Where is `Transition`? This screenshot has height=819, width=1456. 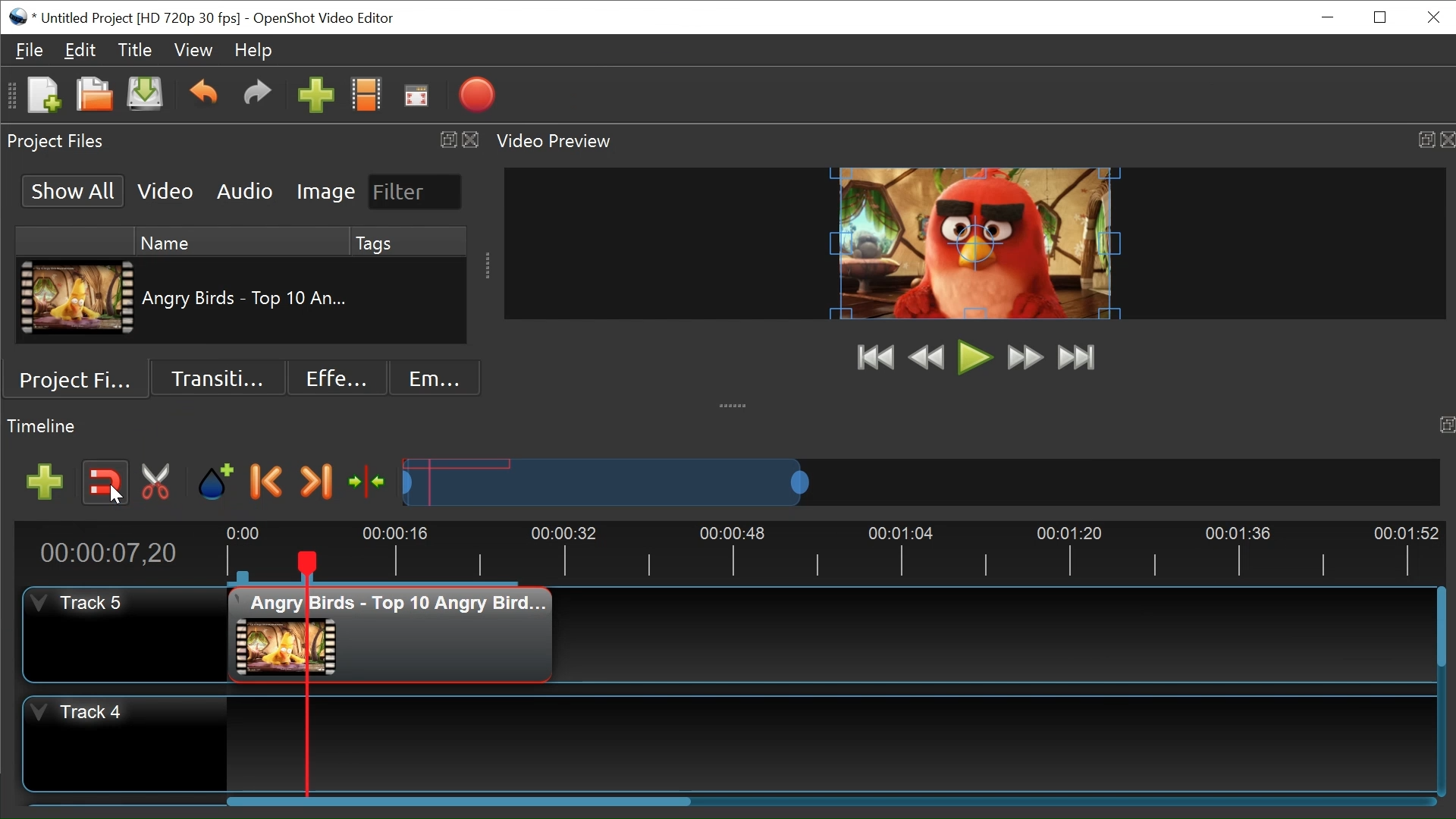
Transition is located at coordinates (221, 378).